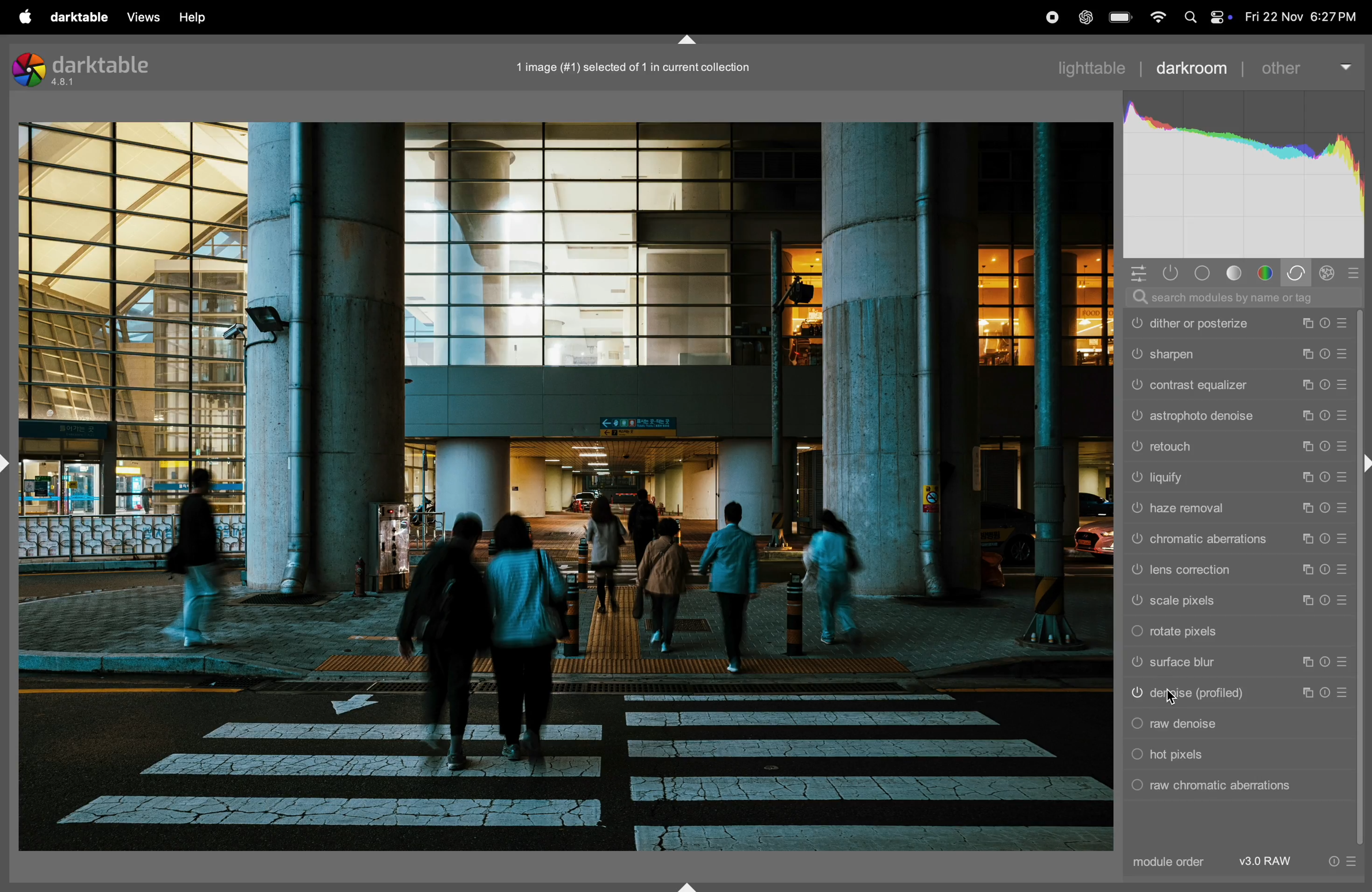 The height and width of the screenshot is (892, 1372). What do you see at coordinates (687, 40) in the screenshot?
I see `shift+ctrl+t` at bounding box center [687, 40].